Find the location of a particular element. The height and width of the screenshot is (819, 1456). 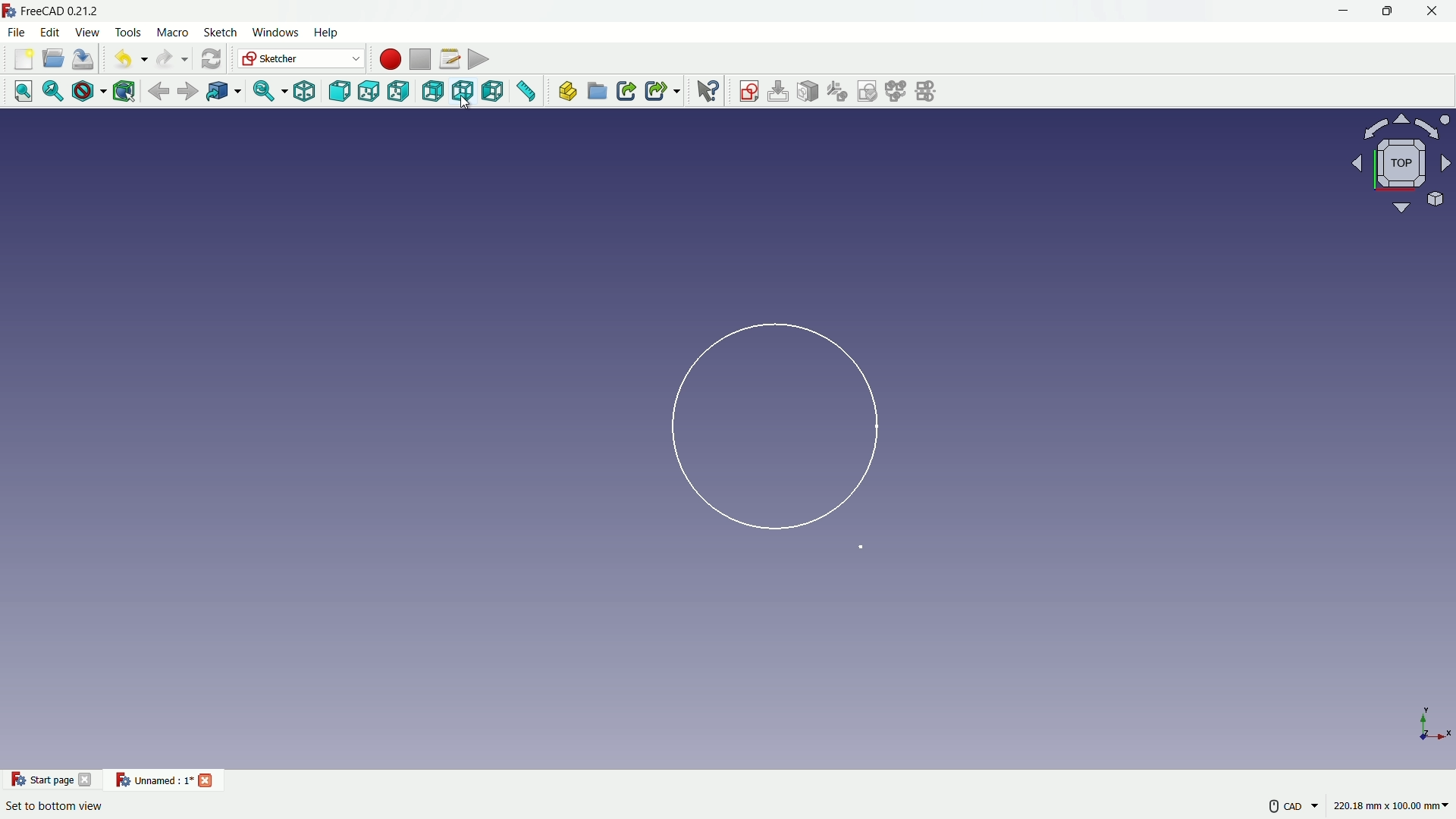

validate sketches is located at coordinates (869, 92).